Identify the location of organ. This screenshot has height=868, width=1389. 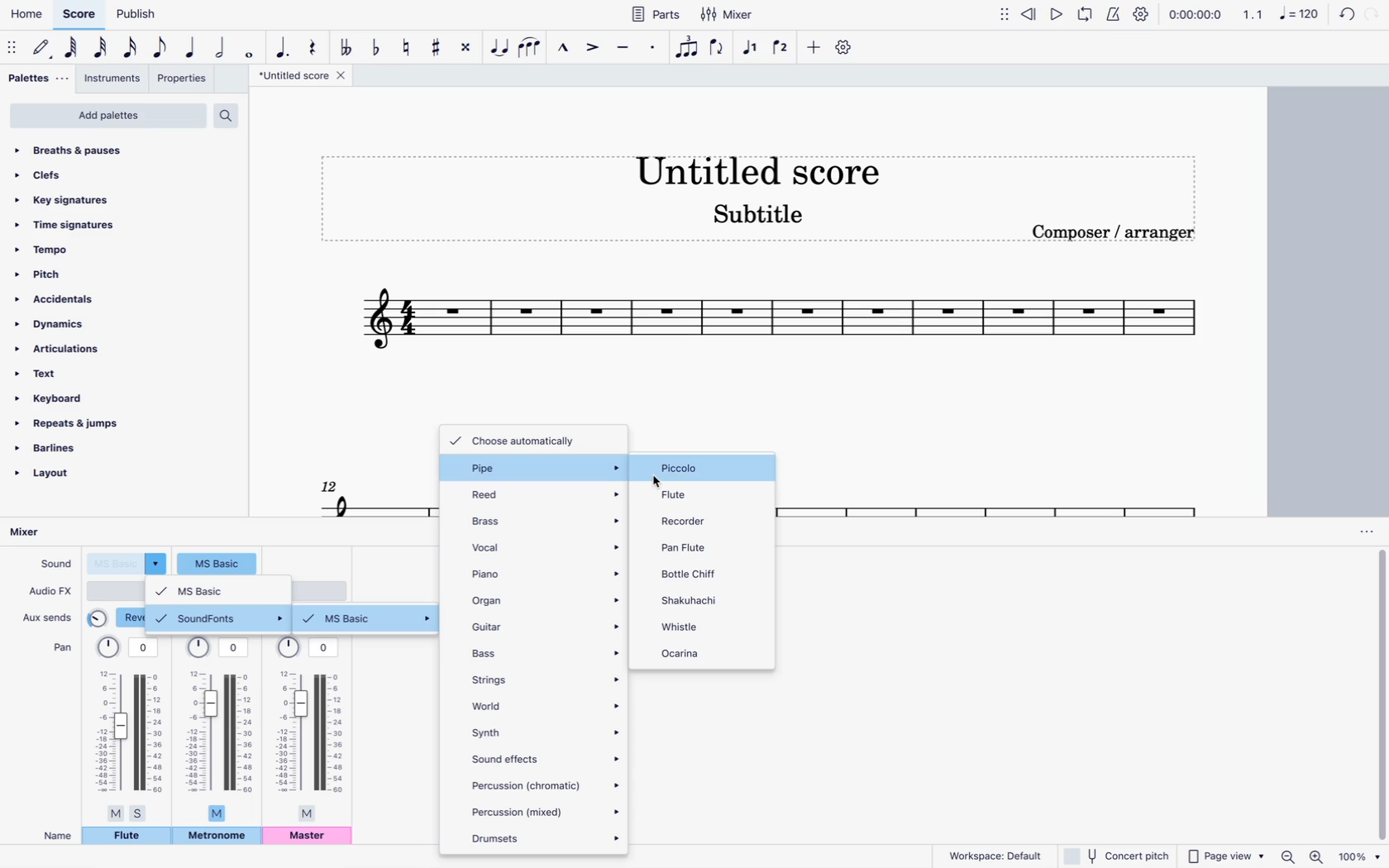
(546, 599).